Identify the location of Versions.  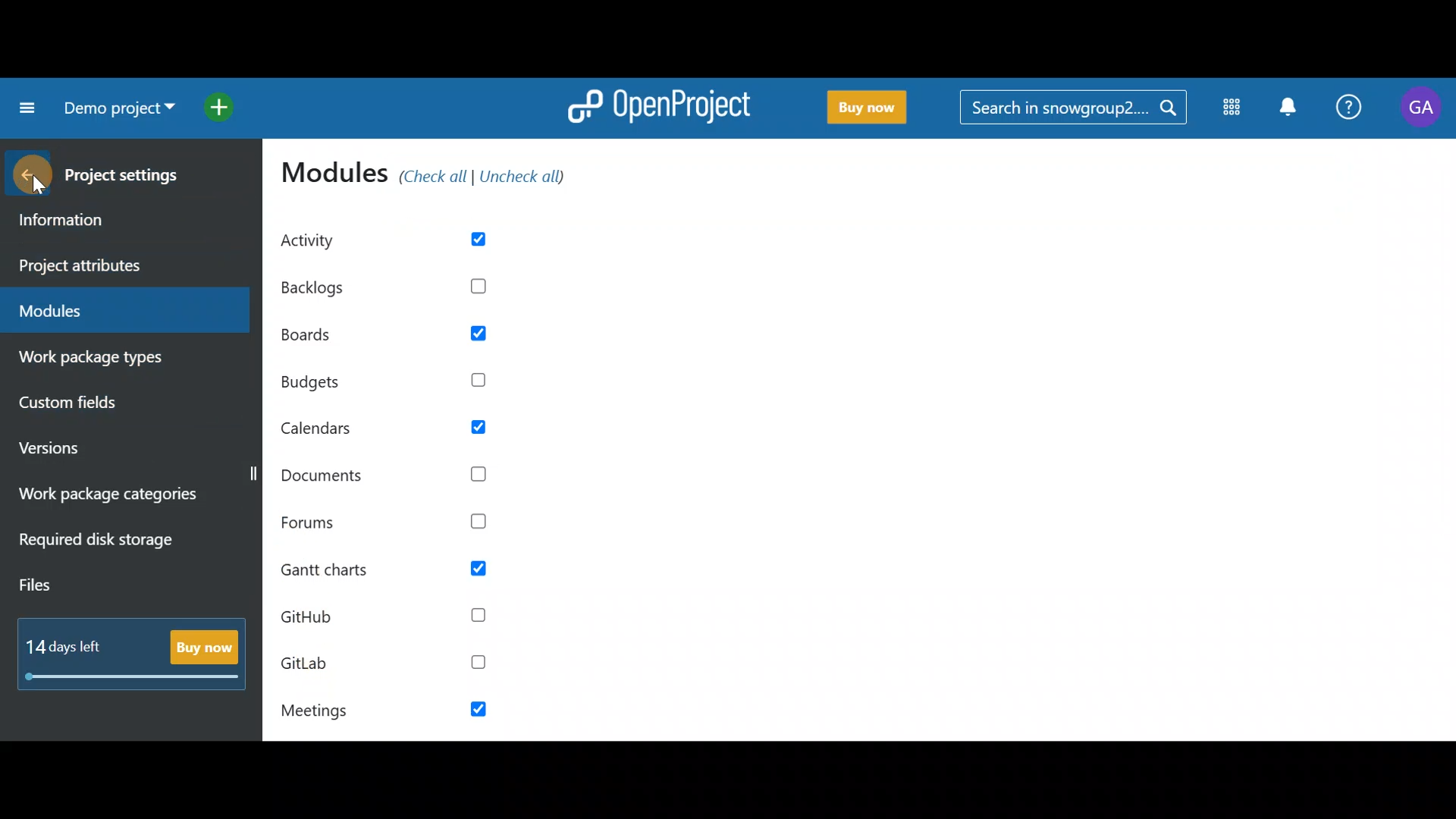
(78, 450).